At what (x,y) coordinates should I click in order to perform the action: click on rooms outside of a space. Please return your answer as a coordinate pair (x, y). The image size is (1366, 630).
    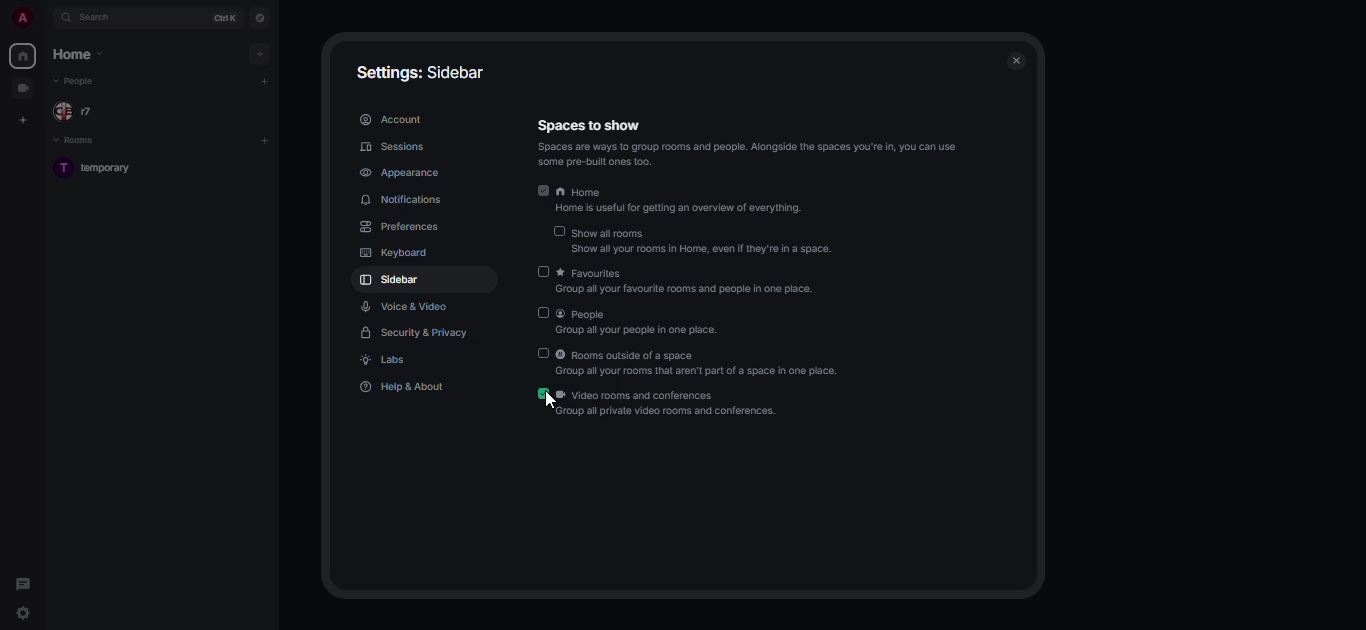
    Looking at the image, I should click on (691, 355).